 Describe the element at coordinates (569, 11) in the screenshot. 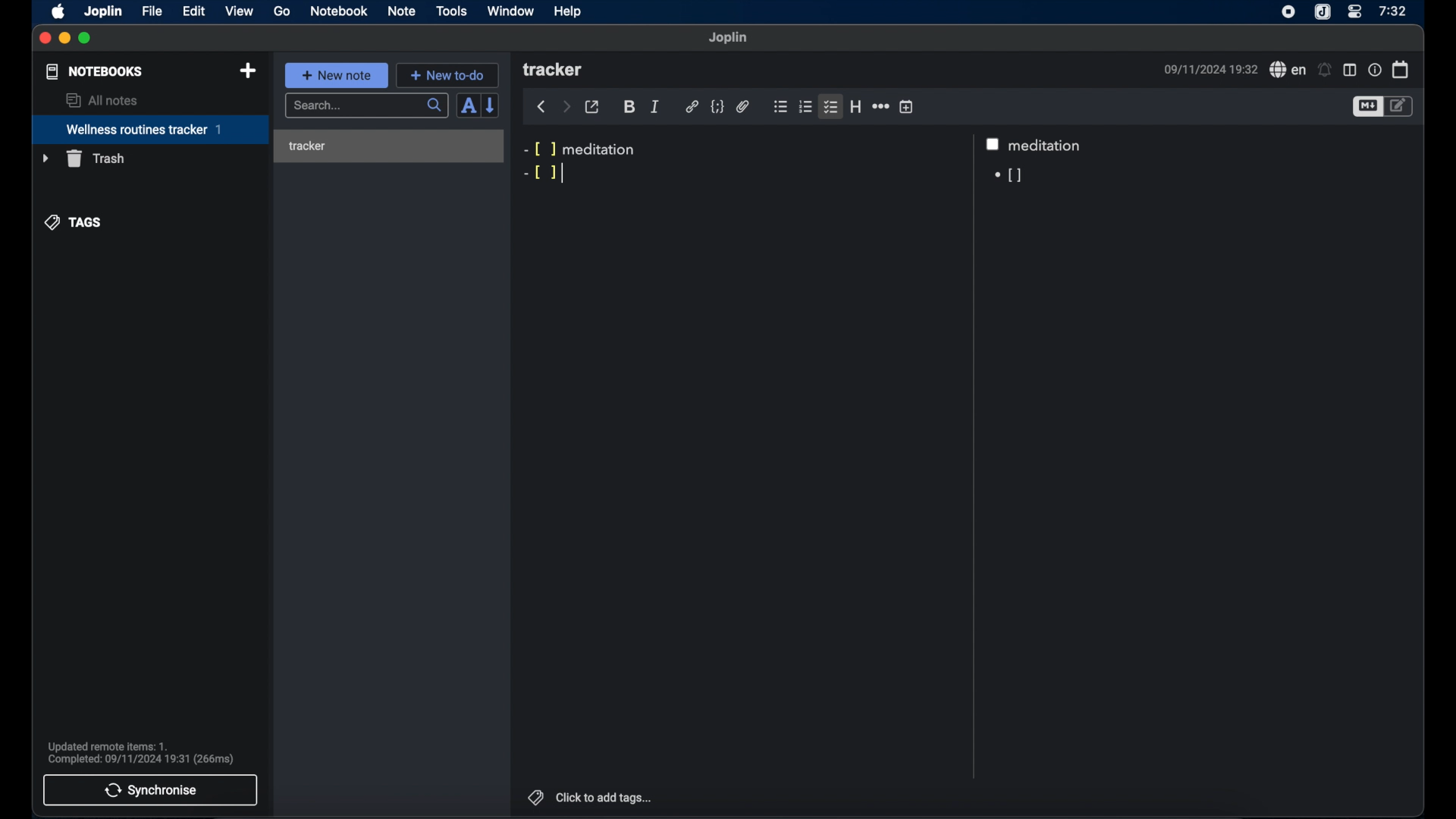

I see `help` at that location.